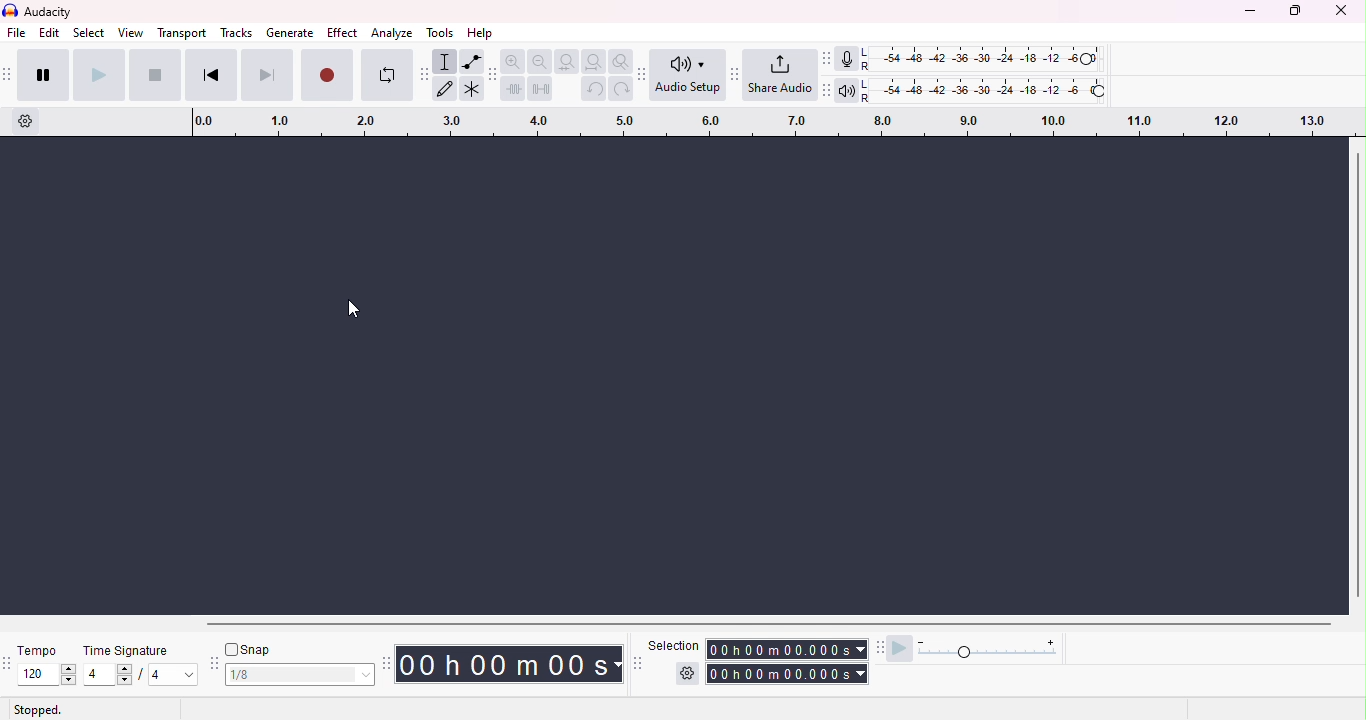 This screenshot has width=1366, height=720. Describe the element at coordinates (780, 75) in the screenshot. I see `share audio` at that location.